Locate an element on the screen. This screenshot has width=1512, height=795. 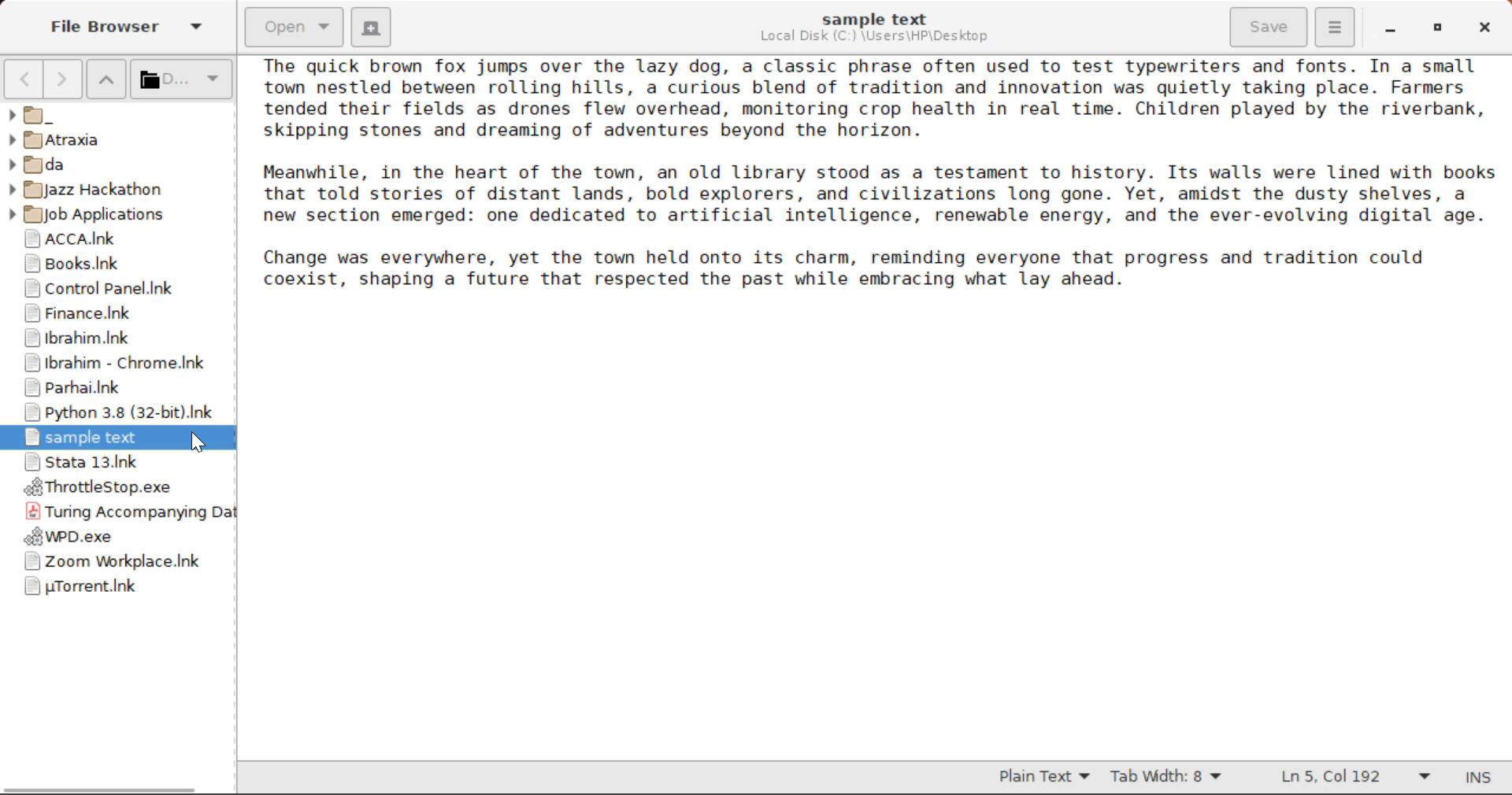
Previous Page is located at coordinates (23, 79).